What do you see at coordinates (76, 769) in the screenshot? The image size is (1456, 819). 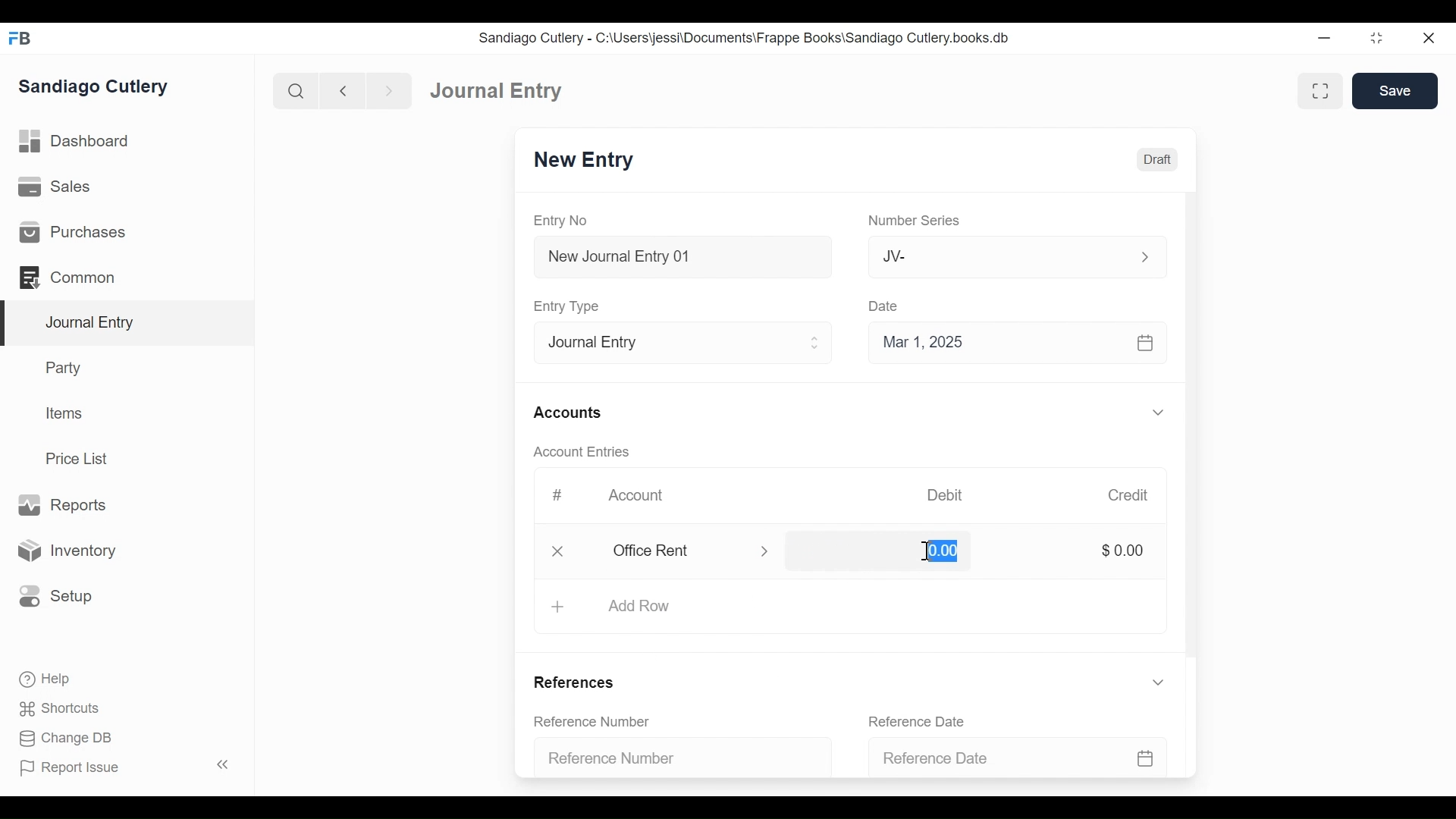 I see `Report Issue` at bounding box center [76, 769].